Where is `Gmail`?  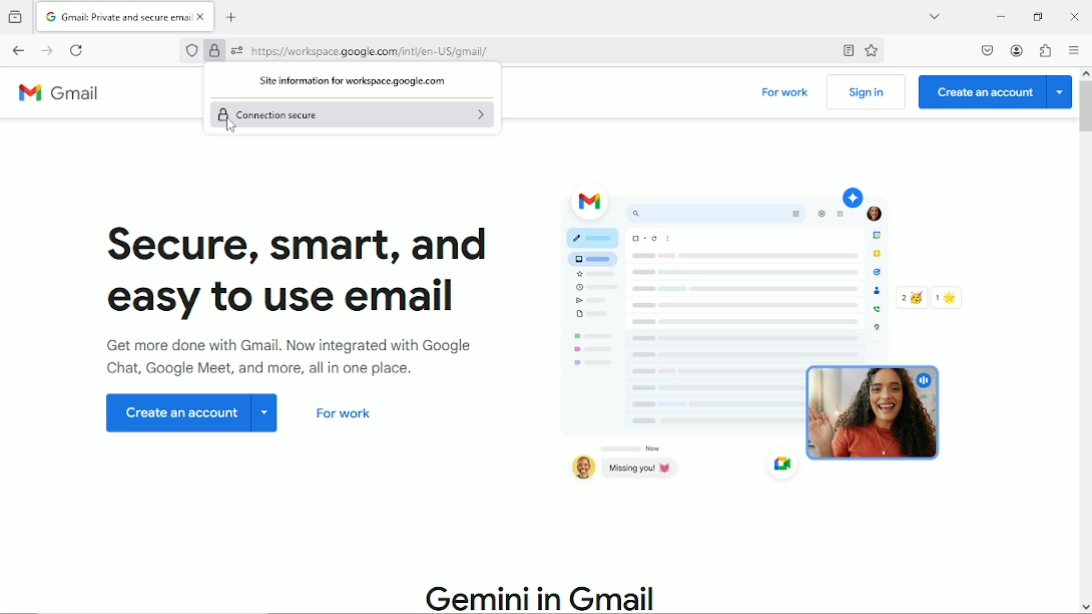 Gmail is located at coordinates (61, 92).